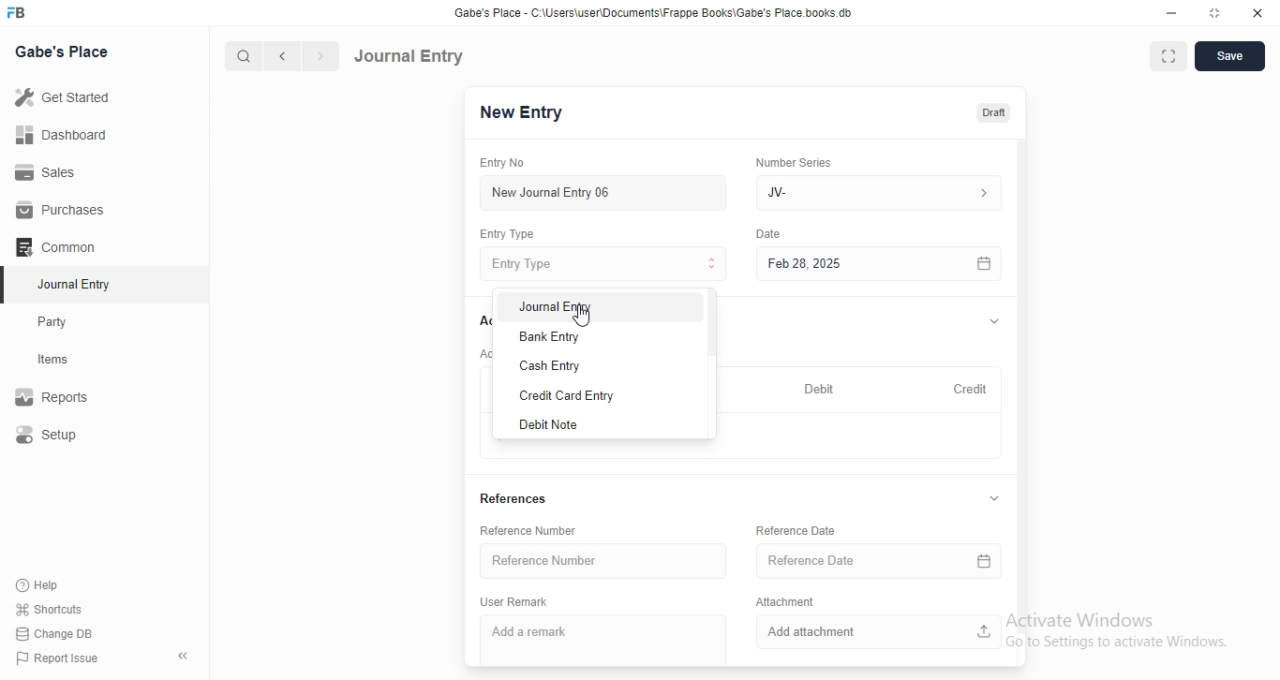  I want to click on hide, so click(179, 657).